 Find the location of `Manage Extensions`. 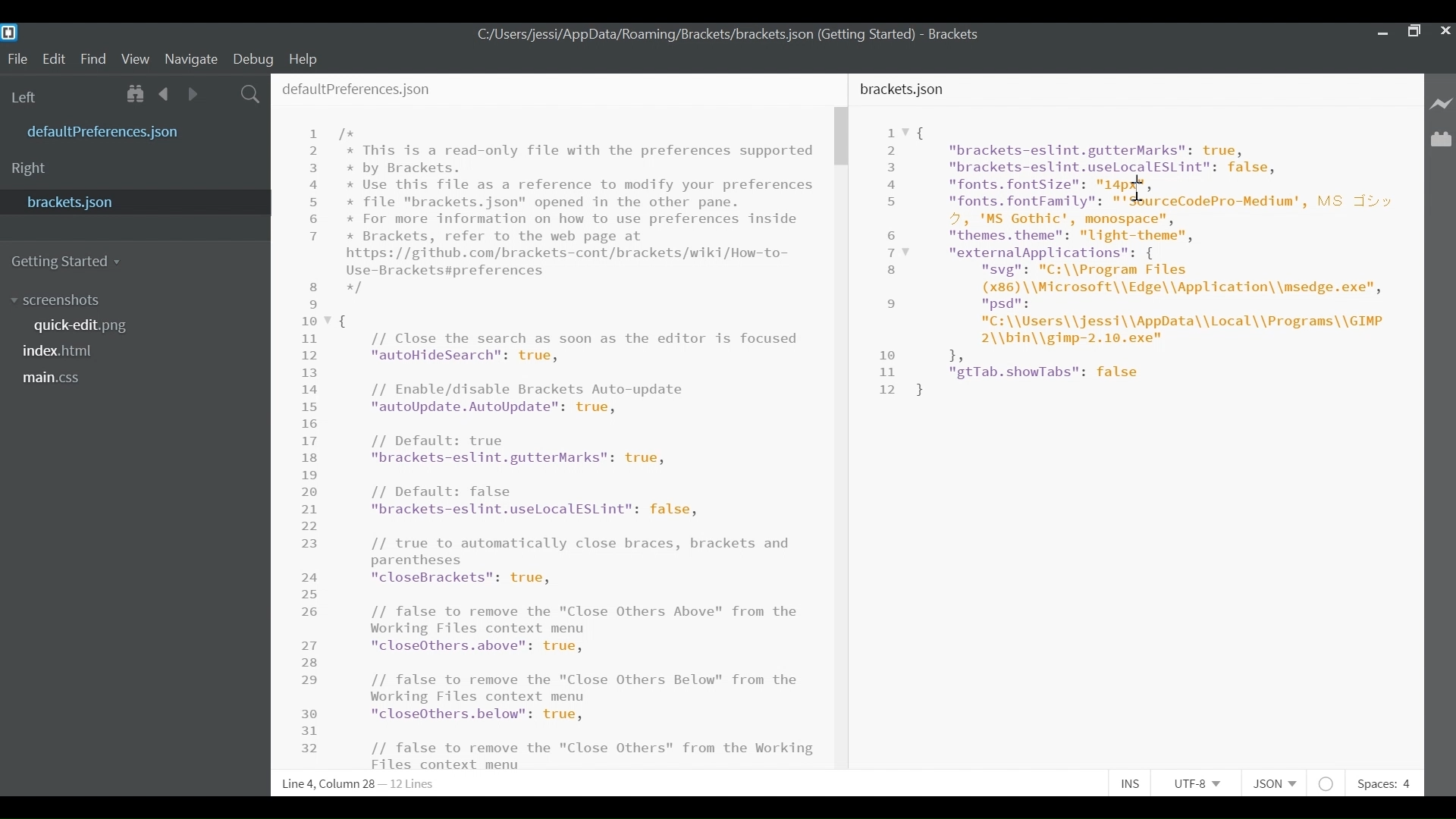

Manage Extensions is located at coordinates (1441, 140).